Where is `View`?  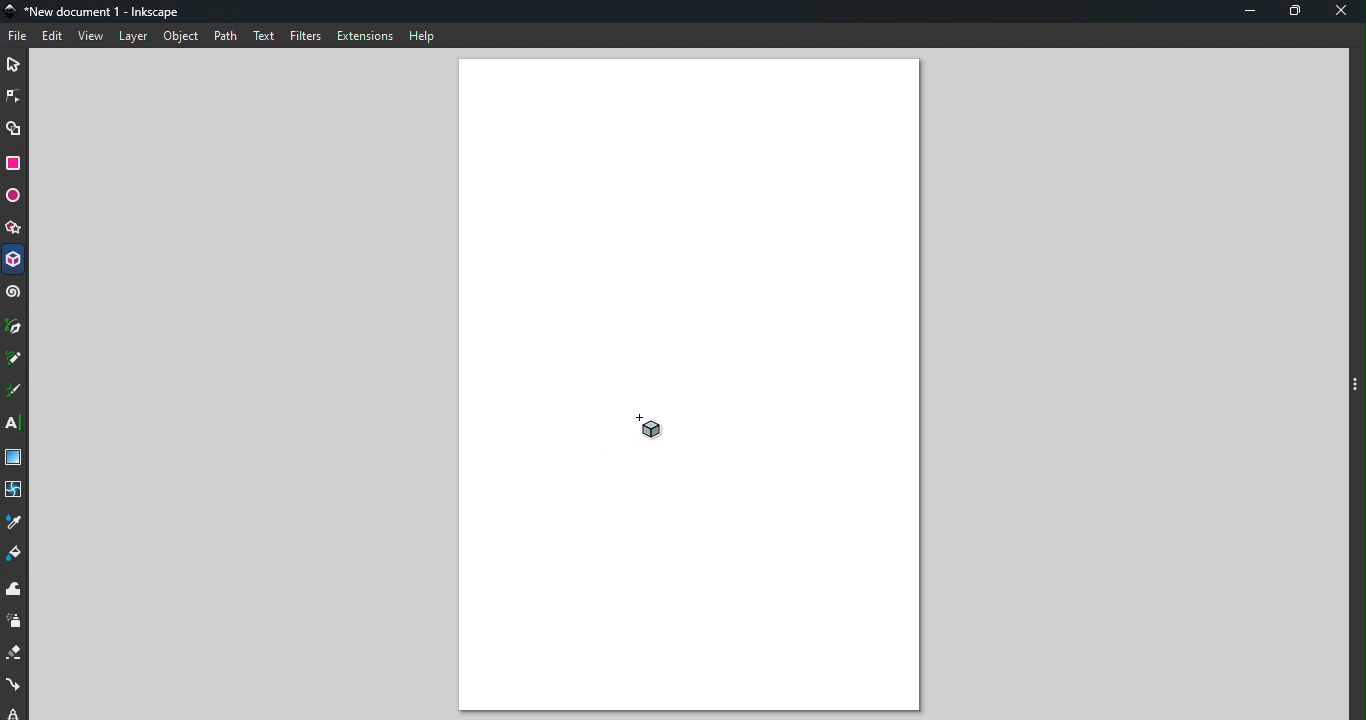 View is located at coordinates (91, 36).